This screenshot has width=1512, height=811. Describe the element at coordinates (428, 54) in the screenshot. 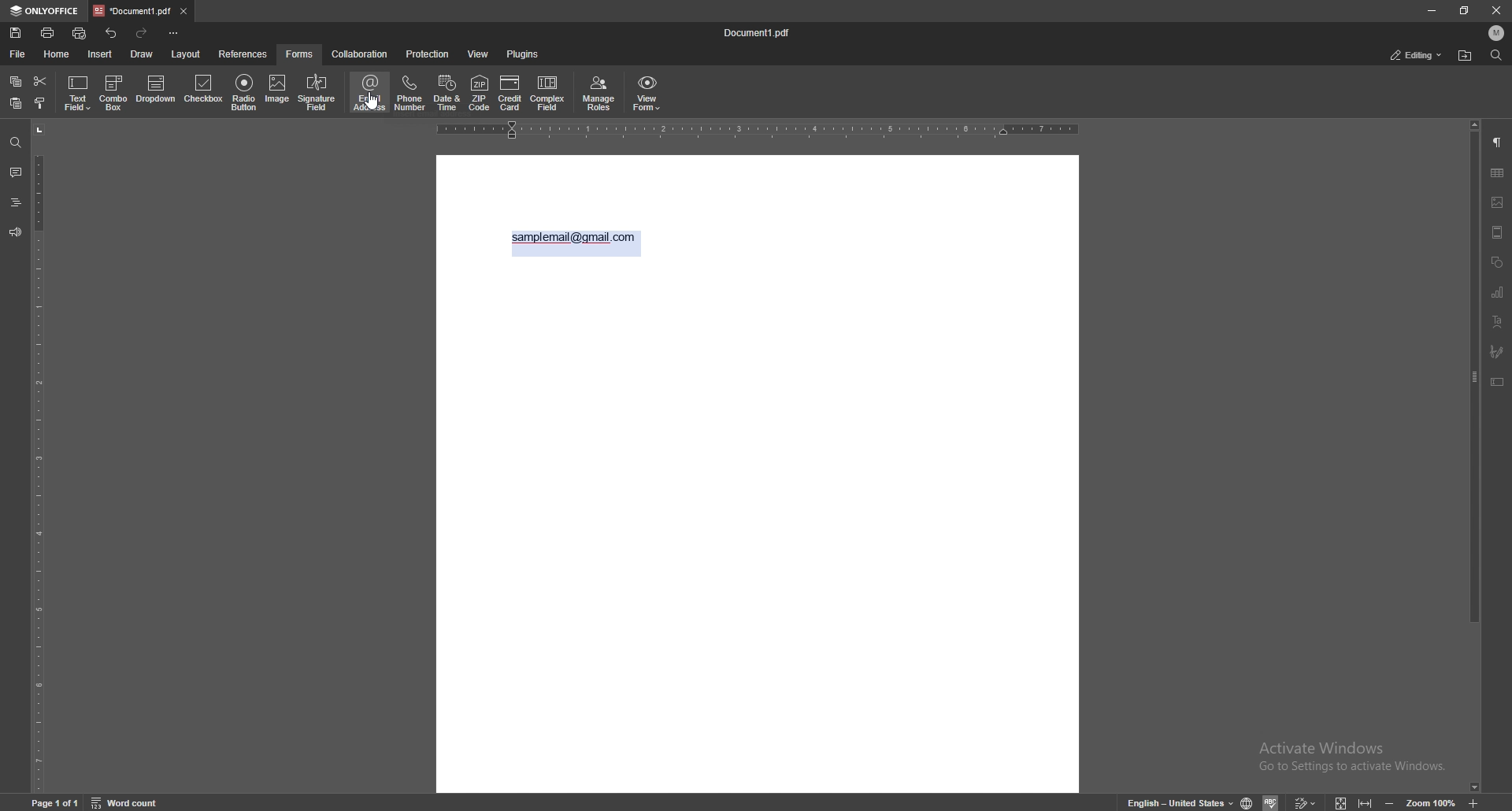

I see `protection` at that location.